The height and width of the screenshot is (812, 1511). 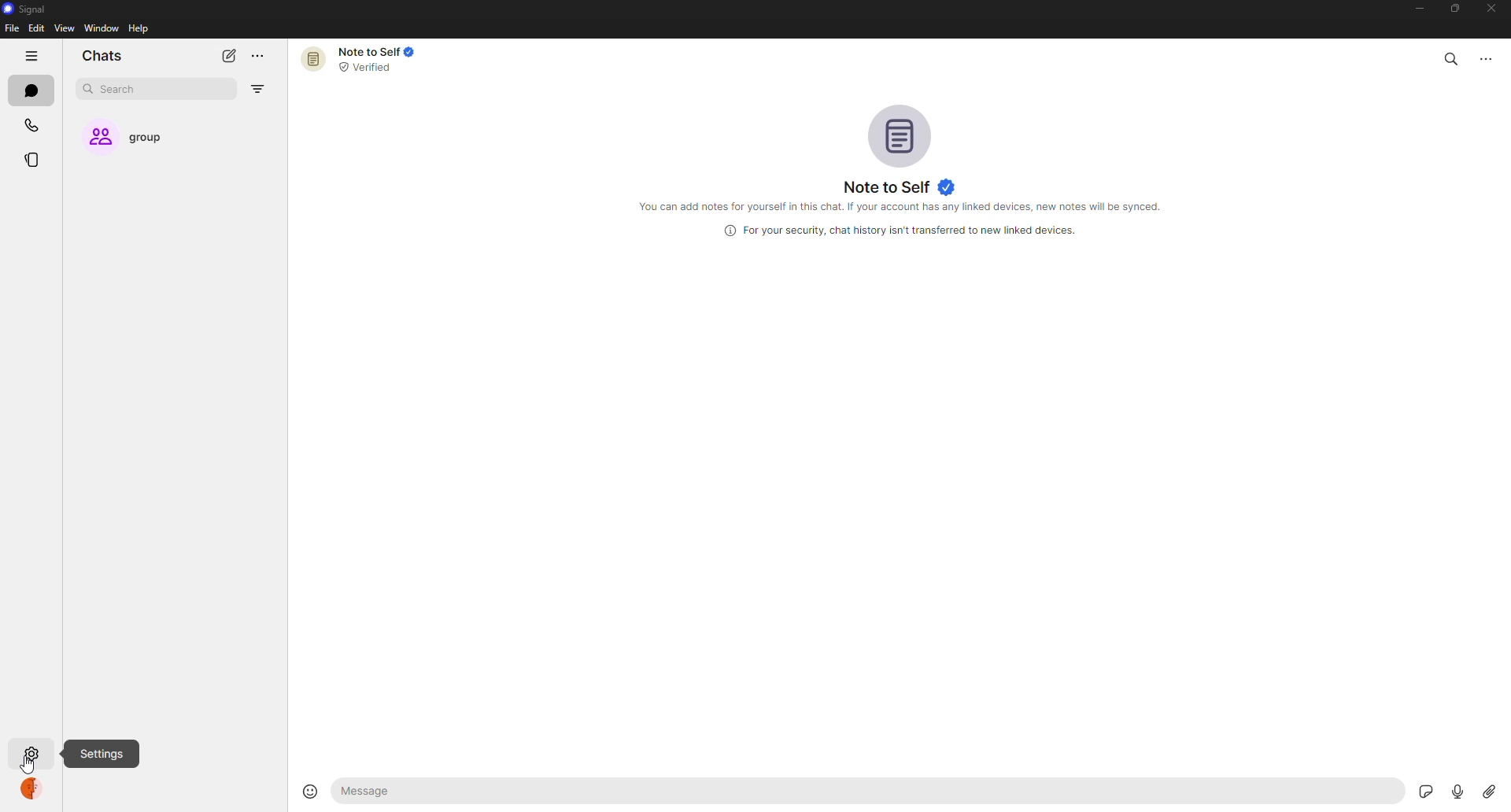 I want to click on message, so click(x=439, y=792).